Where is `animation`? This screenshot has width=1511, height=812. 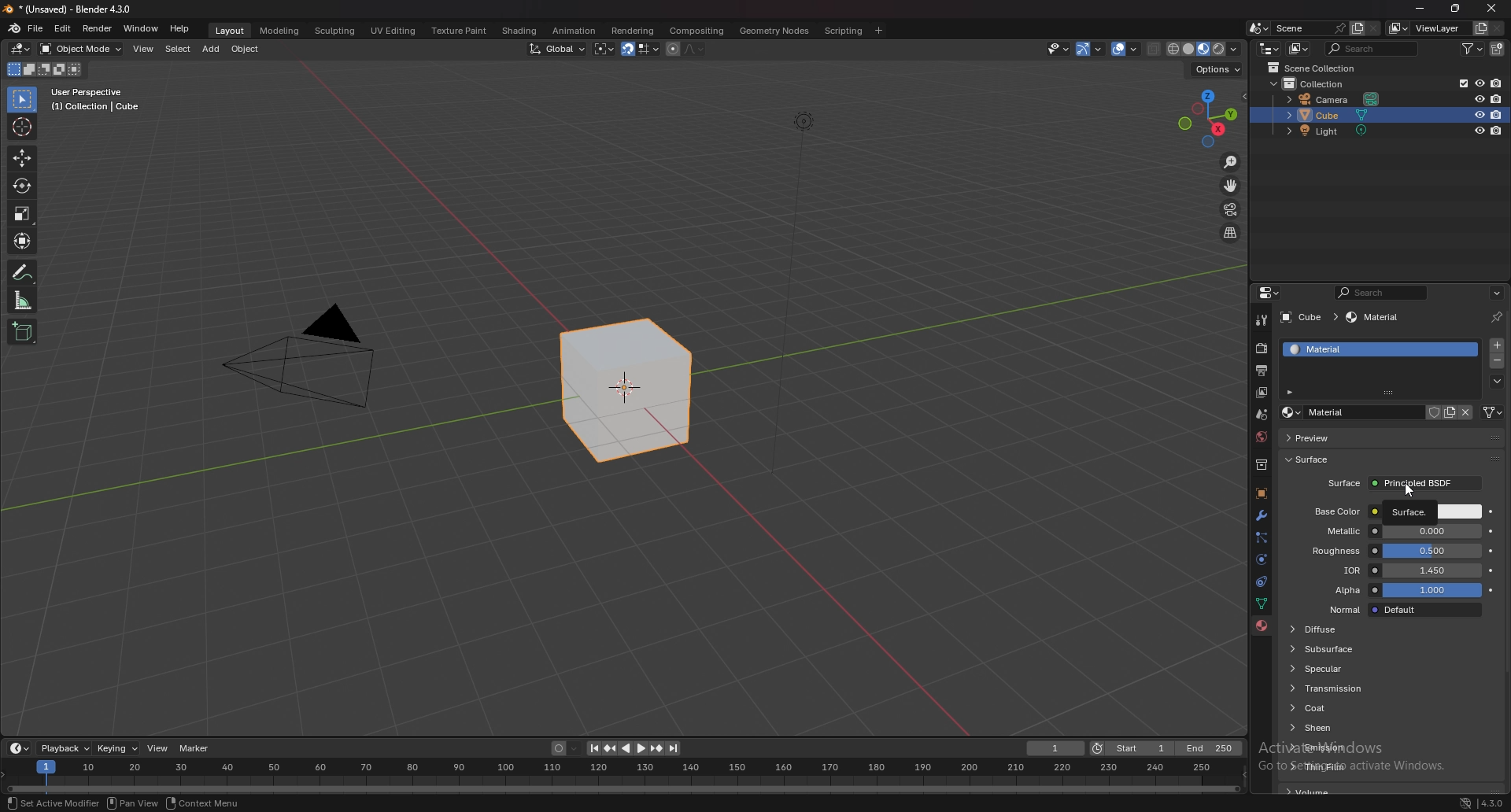 animation is located at coordinates (573, 31).